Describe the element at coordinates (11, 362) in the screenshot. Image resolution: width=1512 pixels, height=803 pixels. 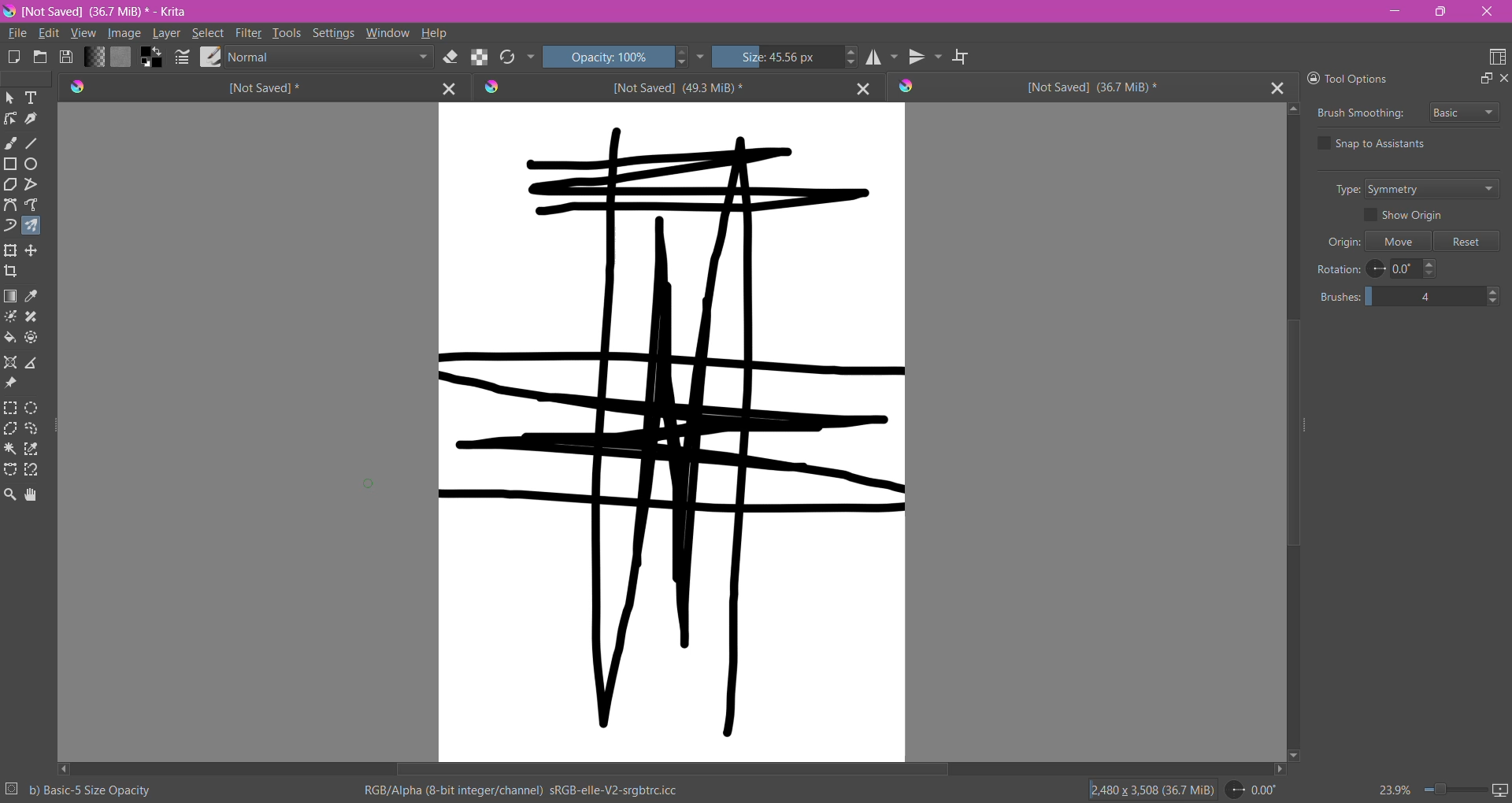
I see `Assistant Tool ` at that location.